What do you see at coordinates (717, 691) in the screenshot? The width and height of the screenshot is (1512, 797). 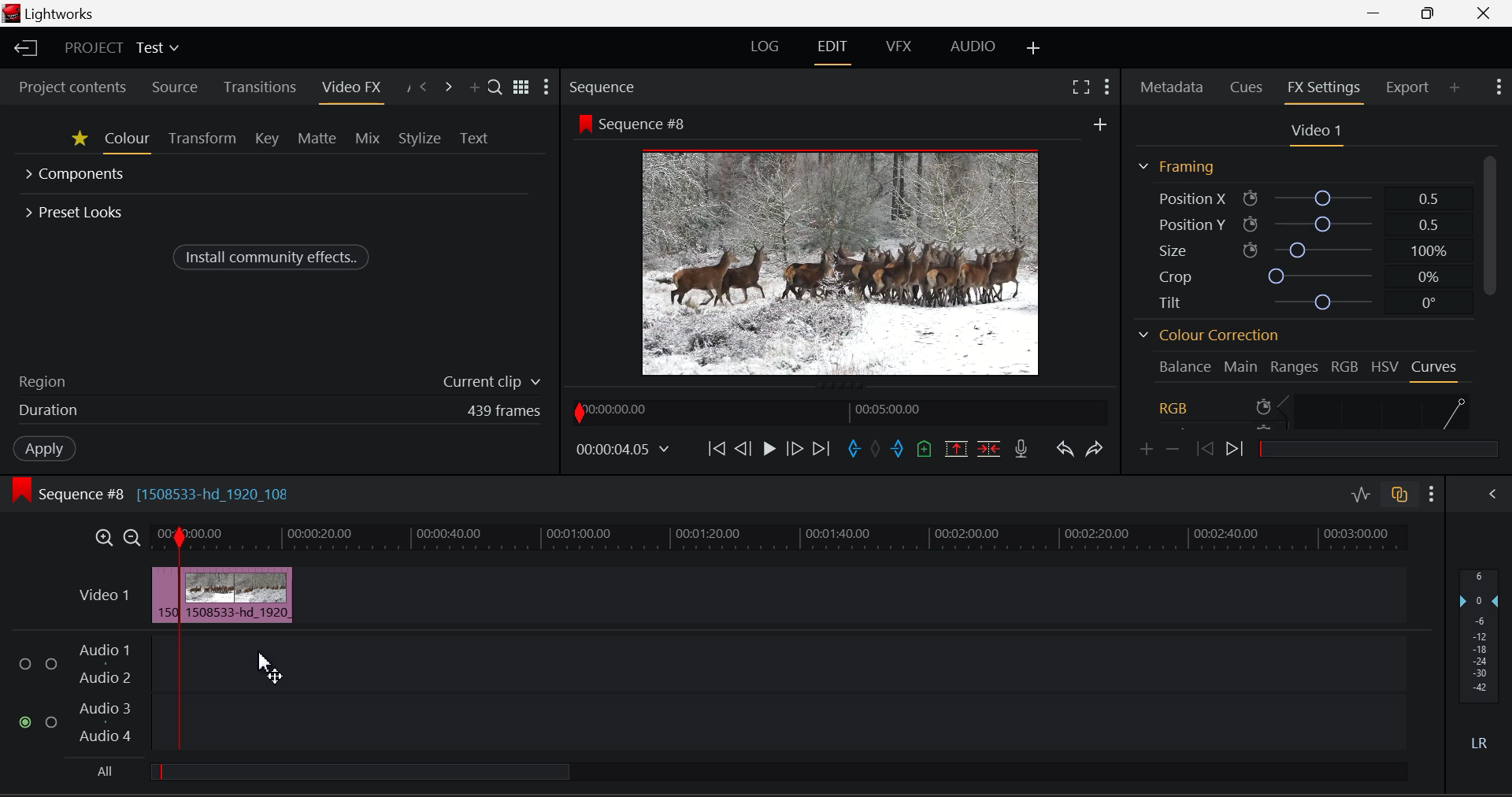 I see `Audio Level` at bounding box center [717, 691].